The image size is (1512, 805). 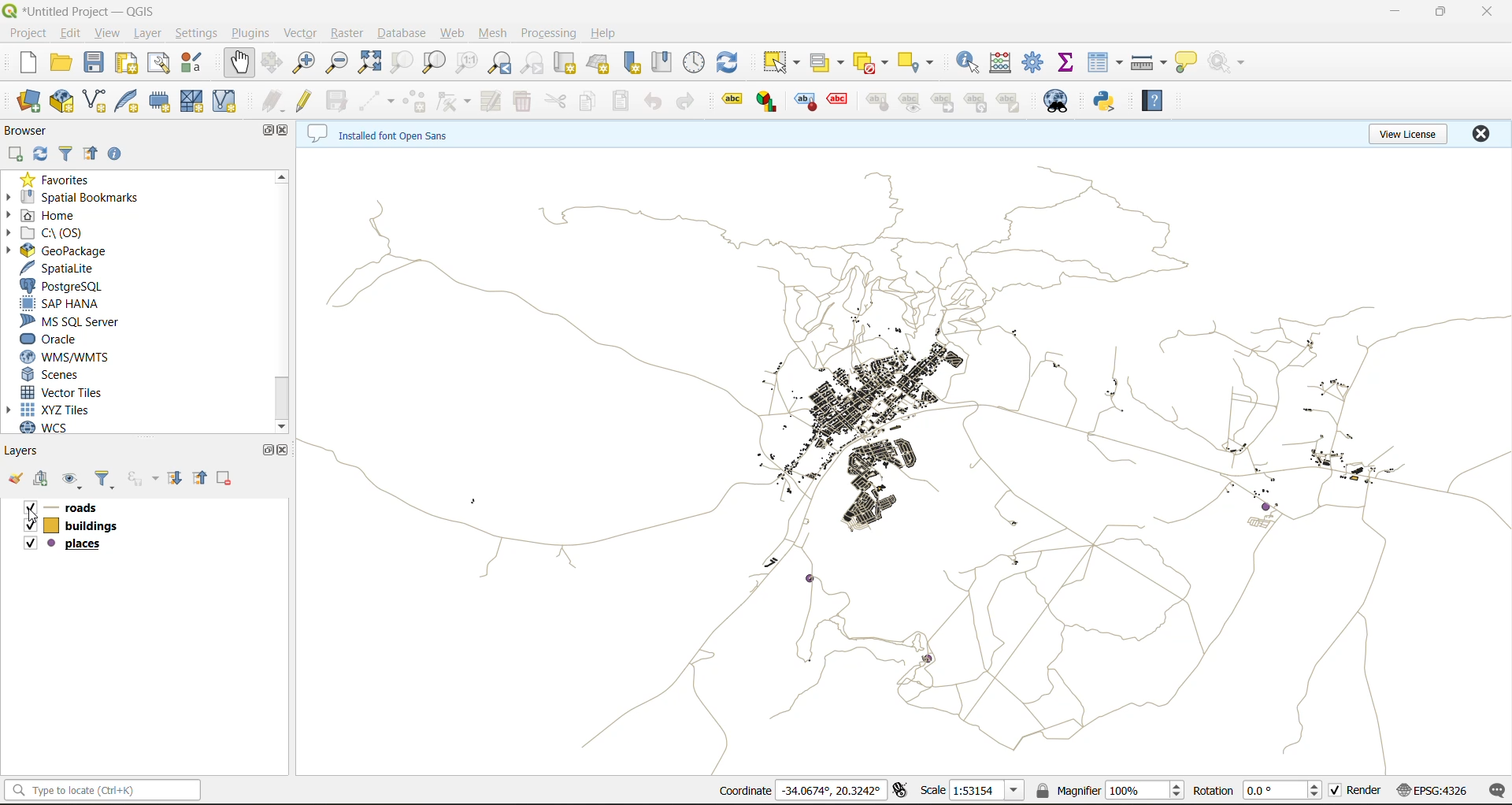 I want to click on toggle extents, so click(x=901, y=791).